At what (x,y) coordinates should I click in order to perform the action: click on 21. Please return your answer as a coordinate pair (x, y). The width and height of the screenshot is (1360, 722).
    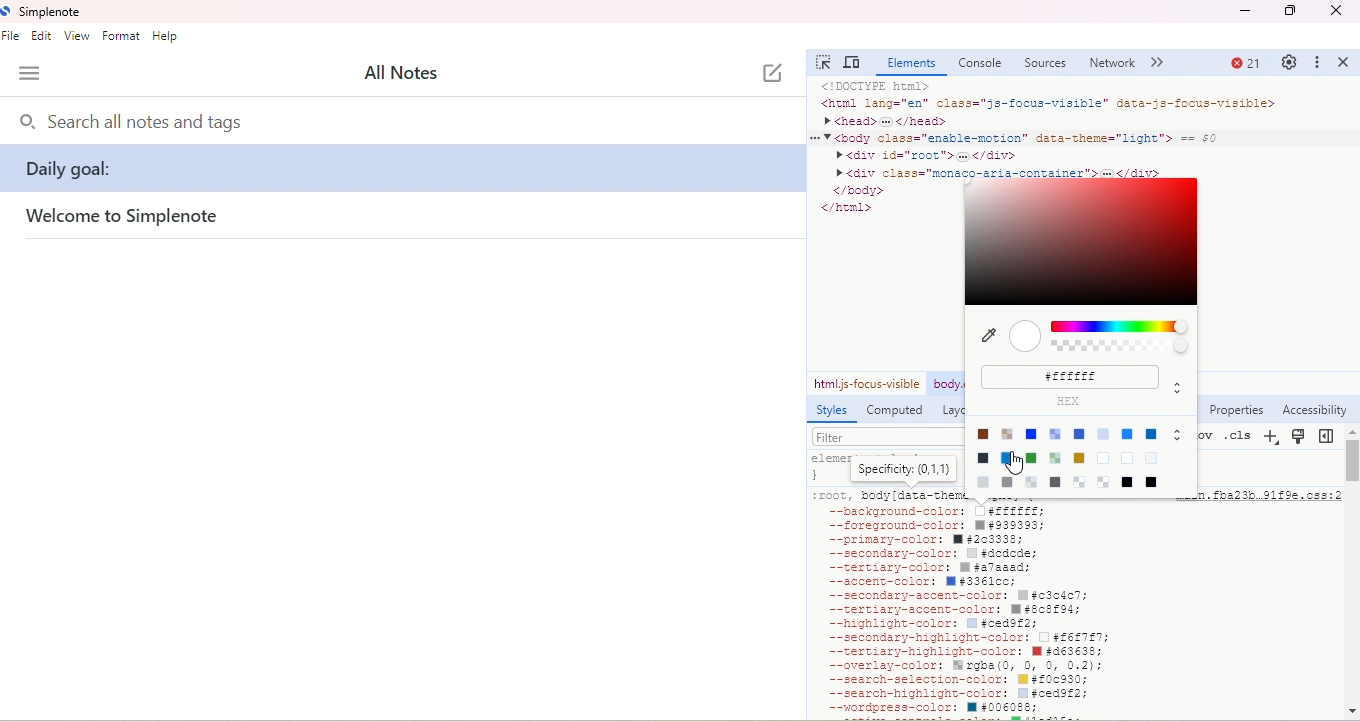
    Looking at the image, I should click on (1245, 64).